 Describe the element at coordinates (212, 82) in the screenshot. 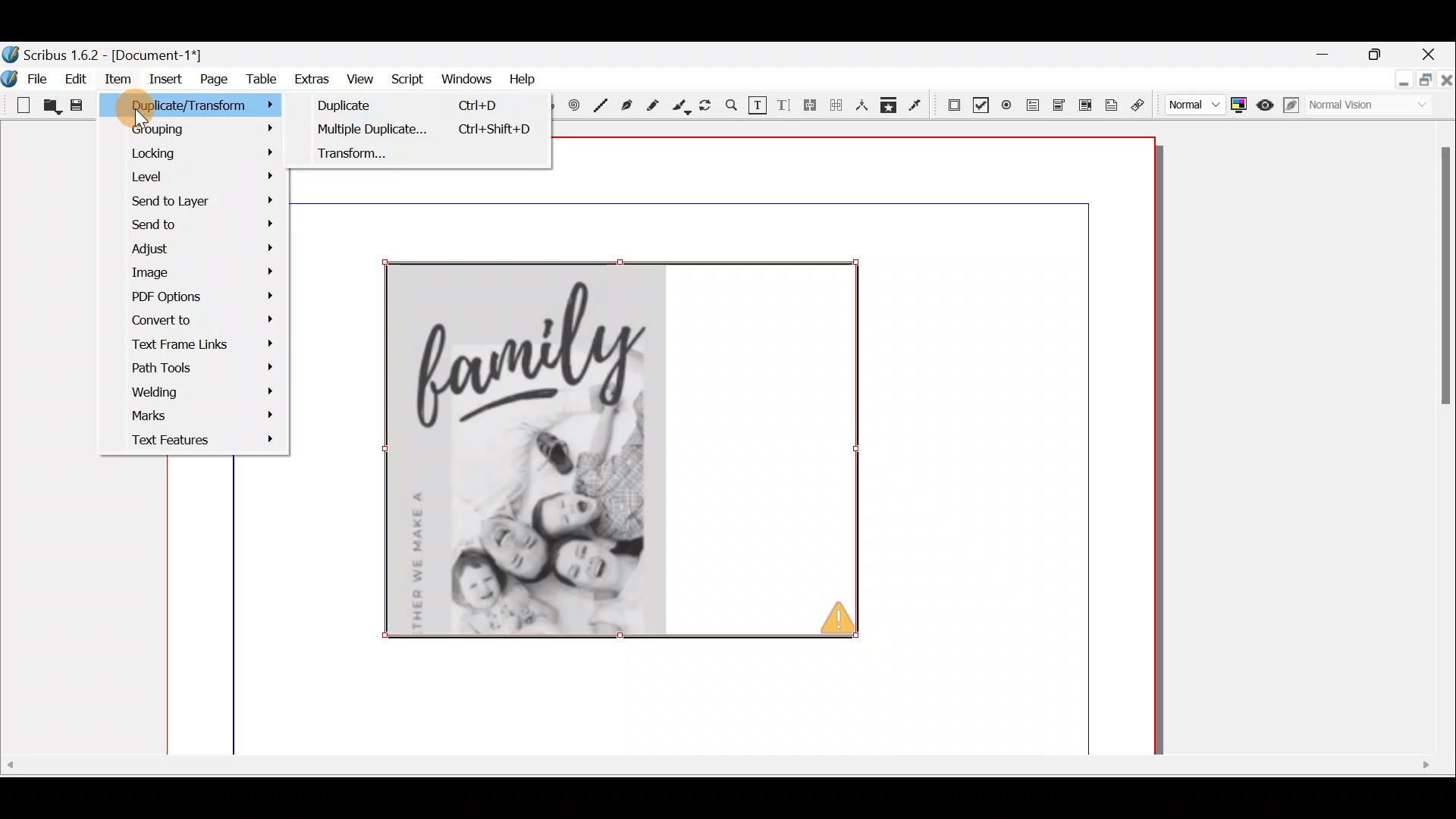

I see `Page` at that location.